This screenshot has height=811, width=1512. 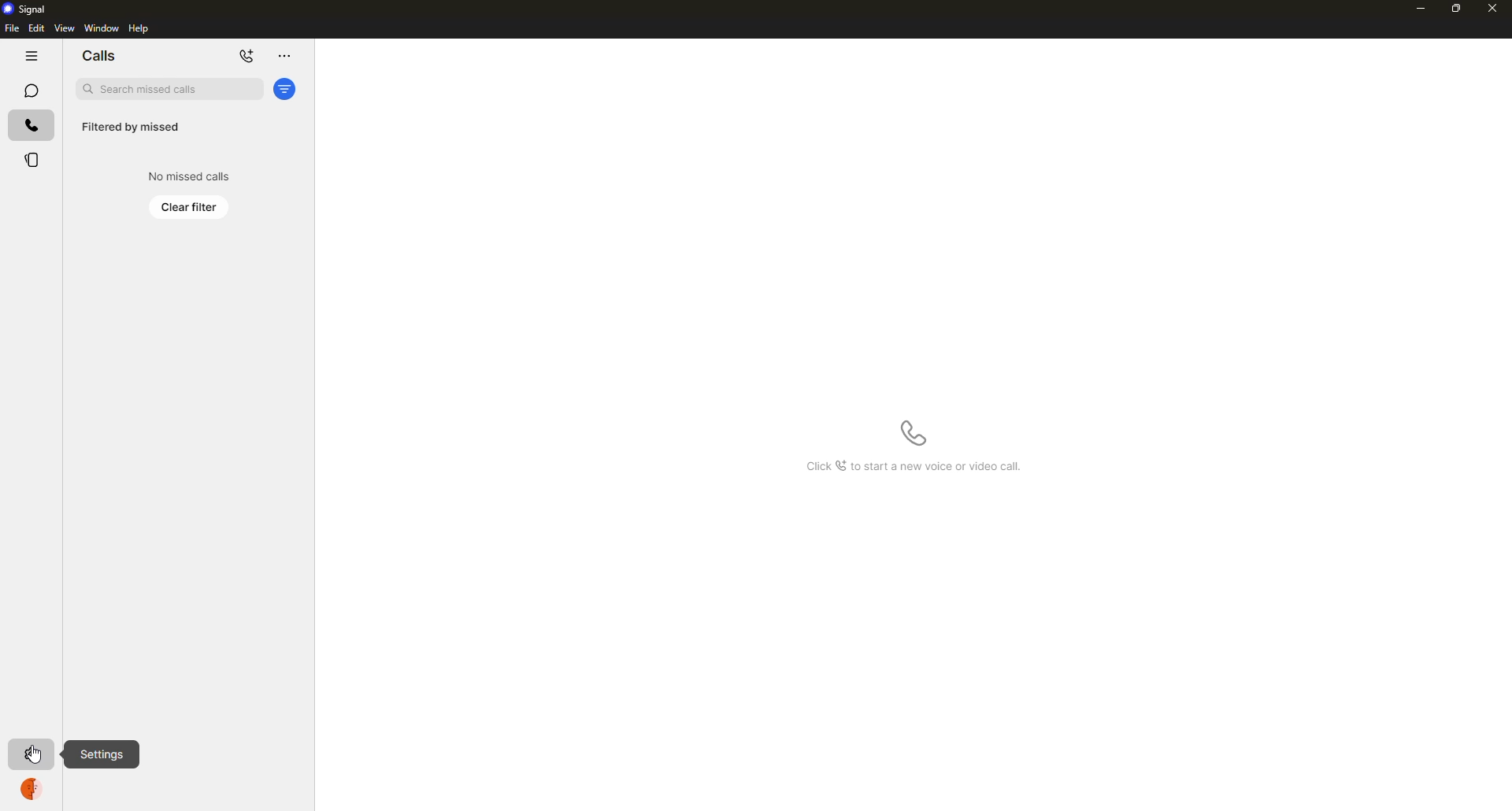 I want to click on maximize, so click(x=1454, y=9).